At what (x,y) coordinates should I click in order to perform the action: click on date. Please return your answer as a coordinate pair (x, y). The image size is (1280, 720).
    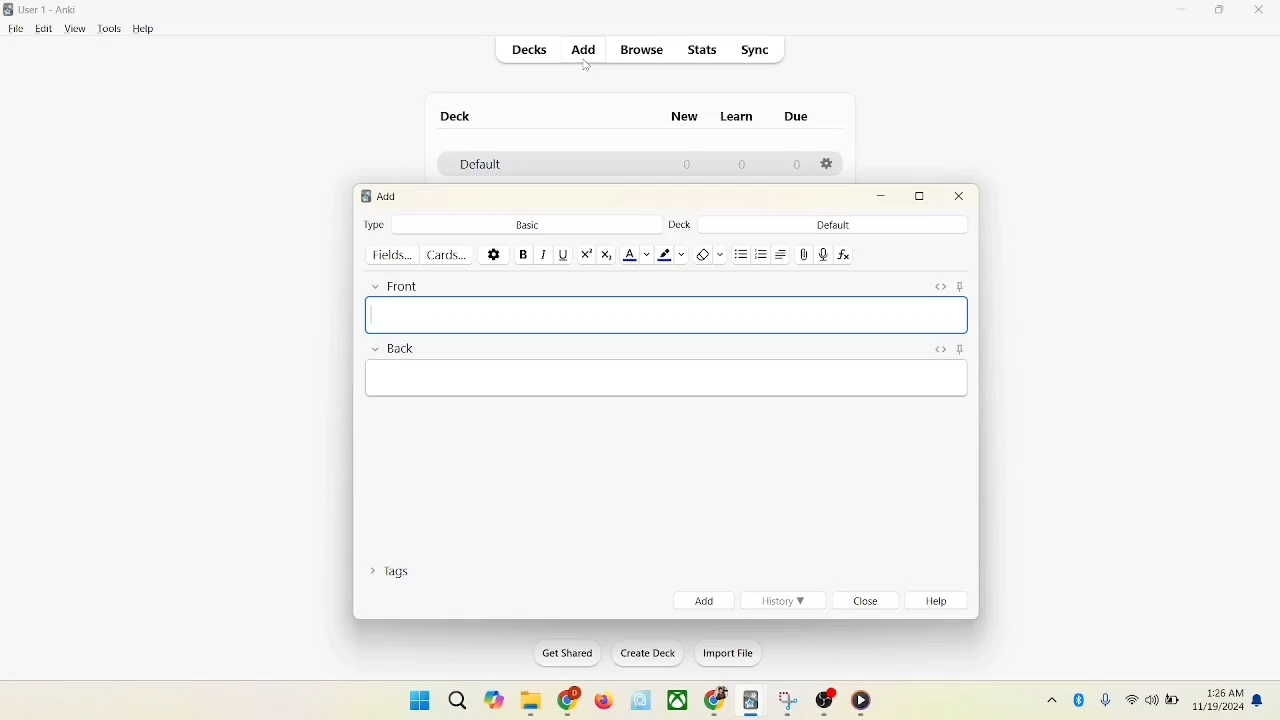
    Looking at the image, I should click on (1220, 708).